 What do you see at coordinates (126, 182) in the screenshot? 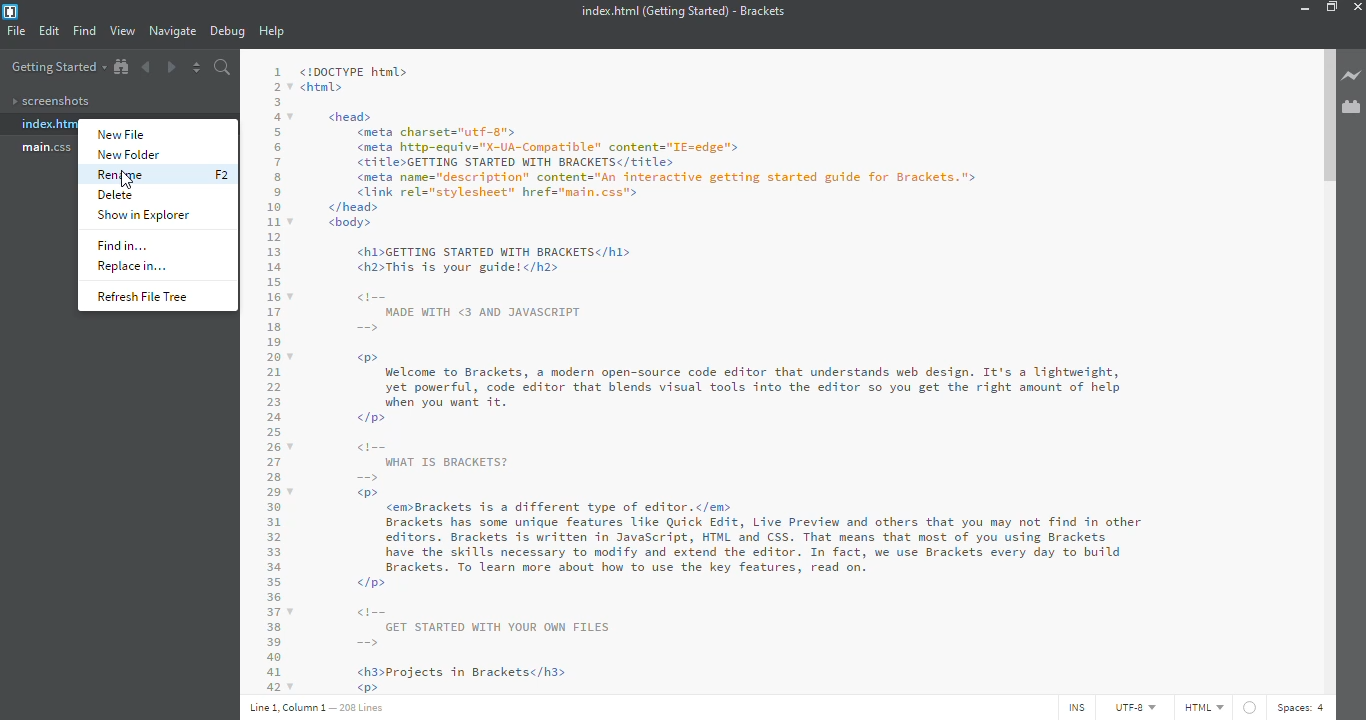
I see `cursor` at bounding box center [126, 182].